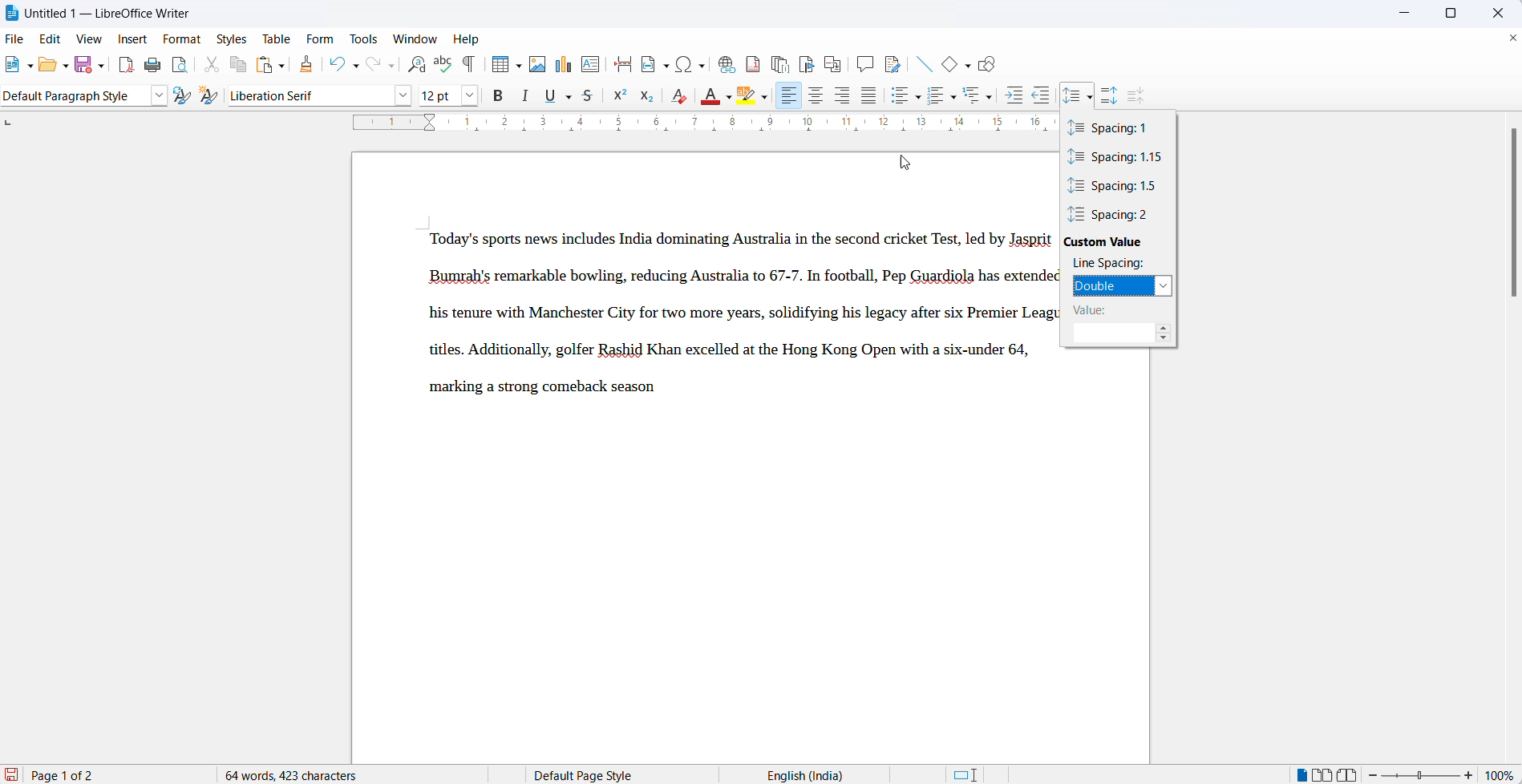  Describe the element at coordinates (1111, 91) in the screenshot. I see `increase paragraph spacing` at that location.